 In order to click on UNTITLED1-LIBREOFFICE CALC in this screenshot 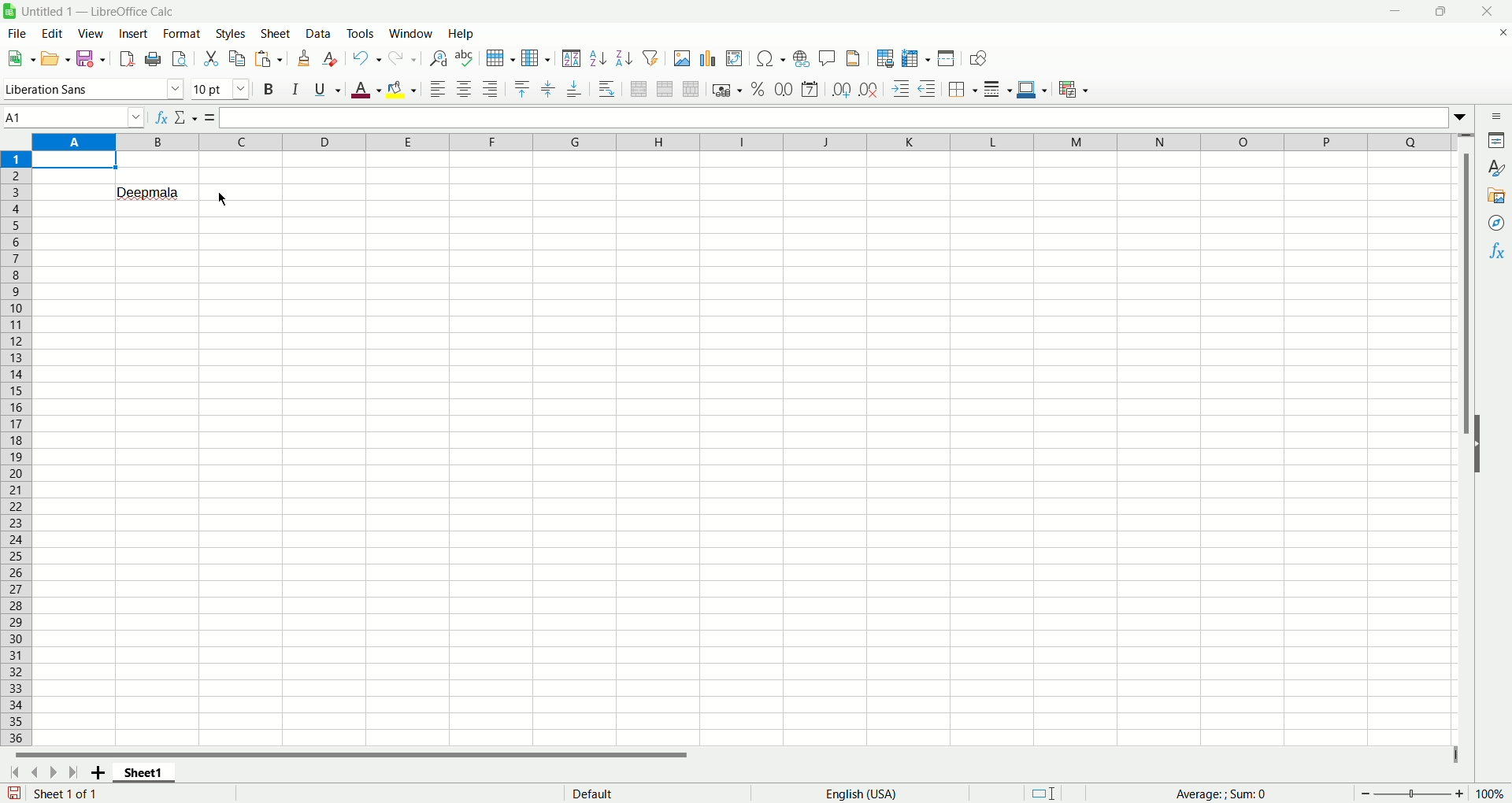, I will do `click(103, 9)`.